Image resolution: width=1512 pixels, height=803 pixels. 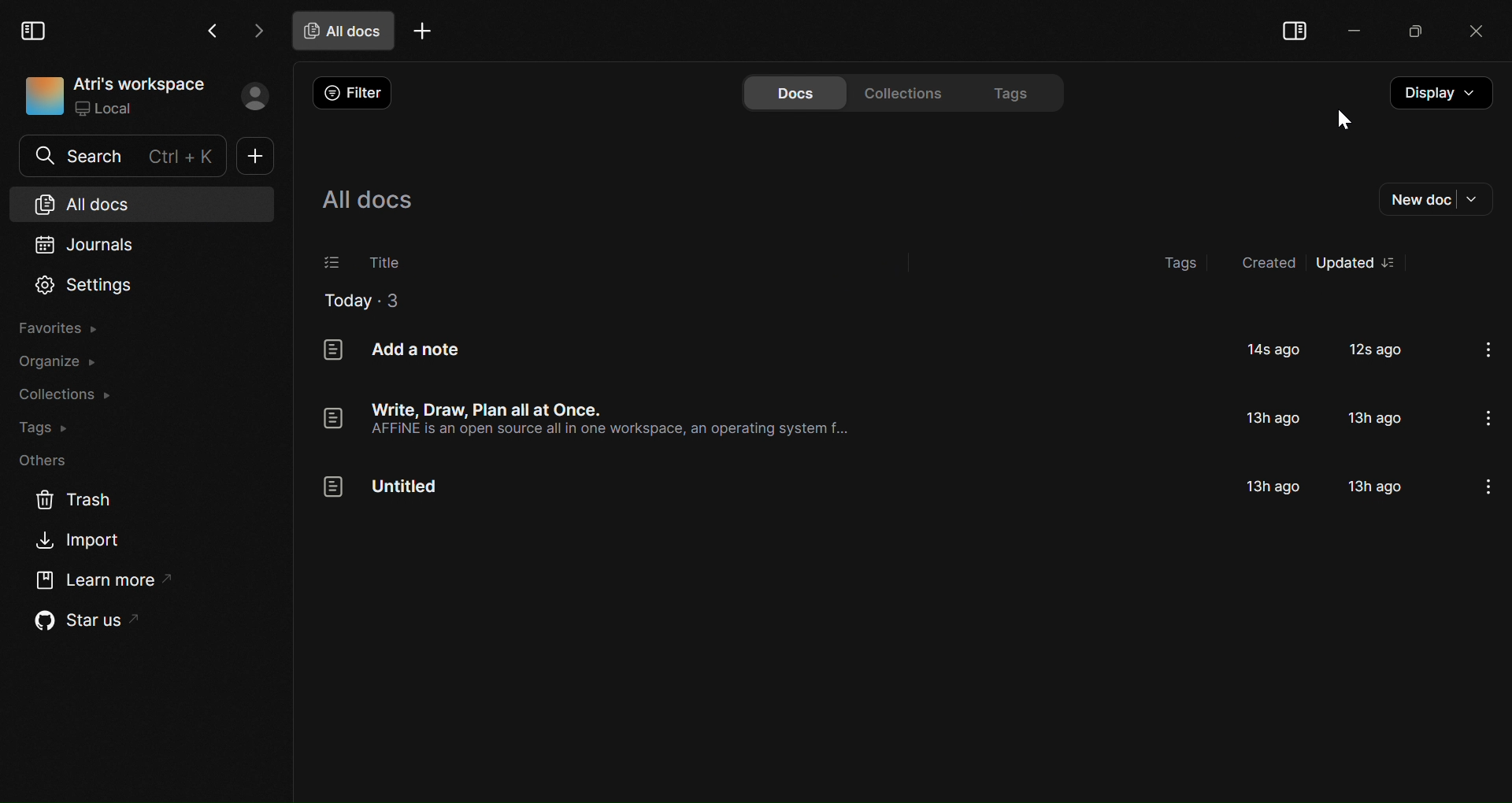 What do you see at coordinates (1274, 419) in the screenshot?
I see `13h ago` at bounding box center [1274, 419].